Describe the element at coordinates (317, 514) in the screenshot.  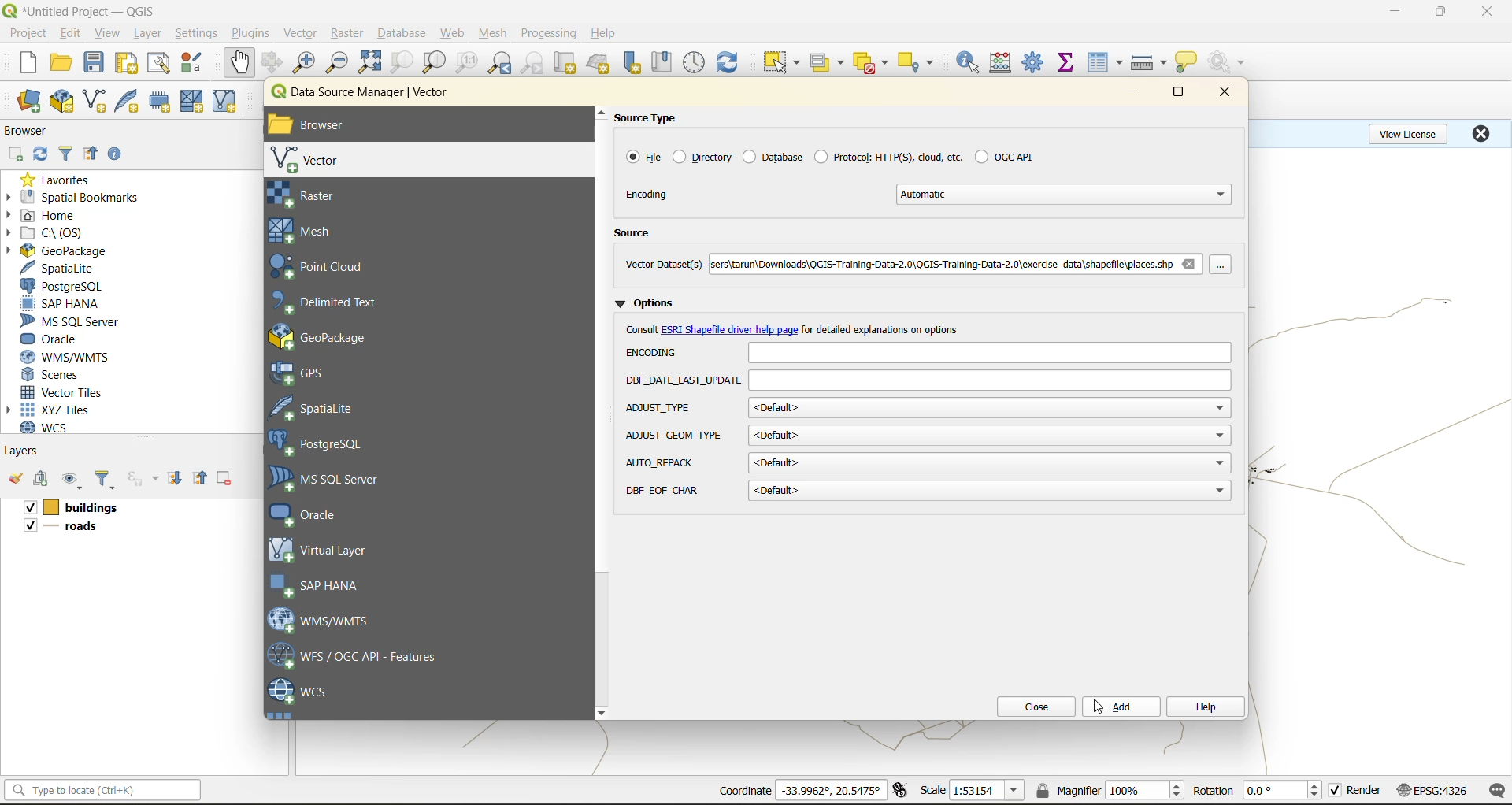
I see `oracle` at that location.